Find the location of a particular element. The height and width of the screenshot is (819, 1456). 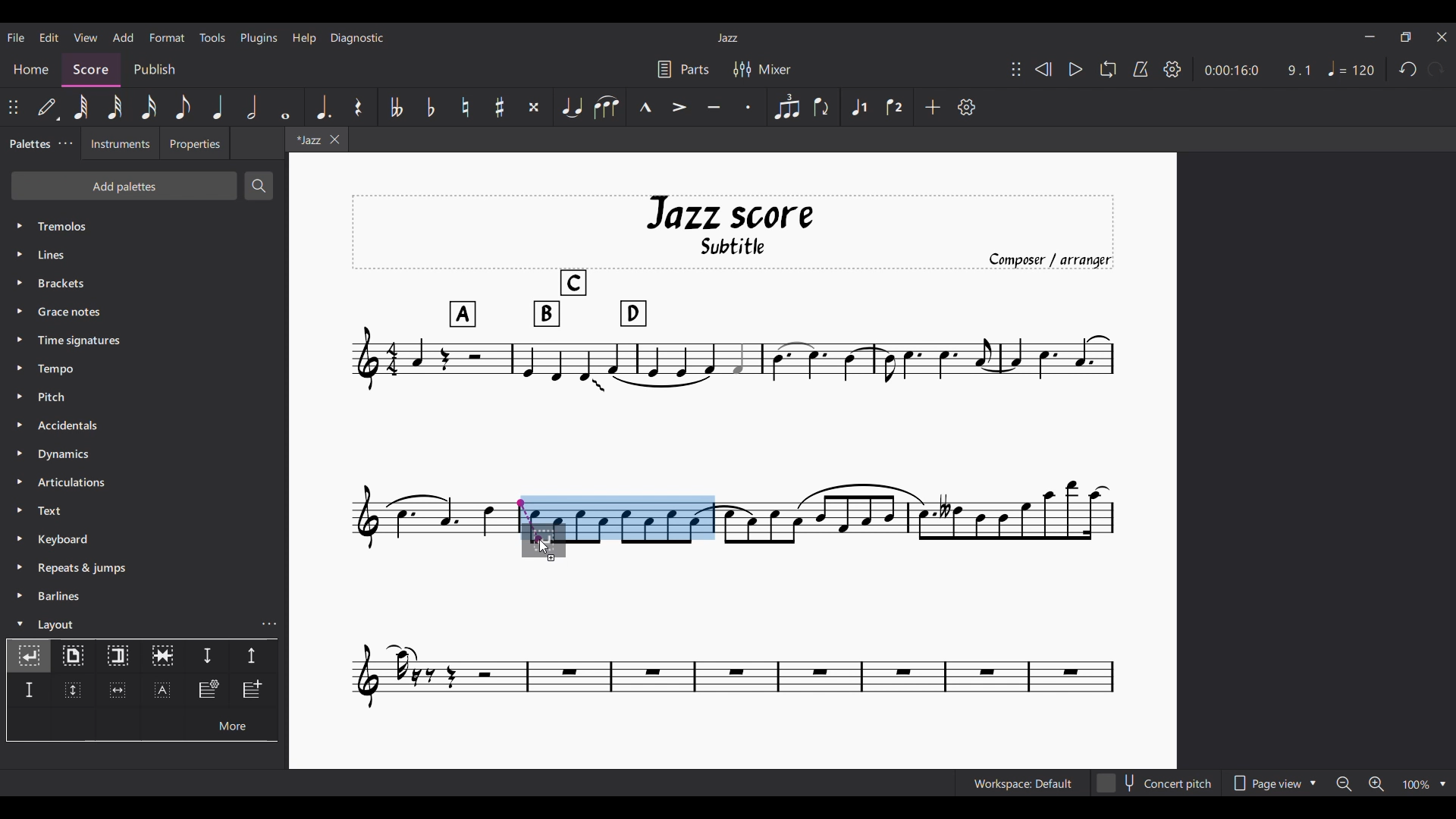

Default is located at coordinates (46, 107).